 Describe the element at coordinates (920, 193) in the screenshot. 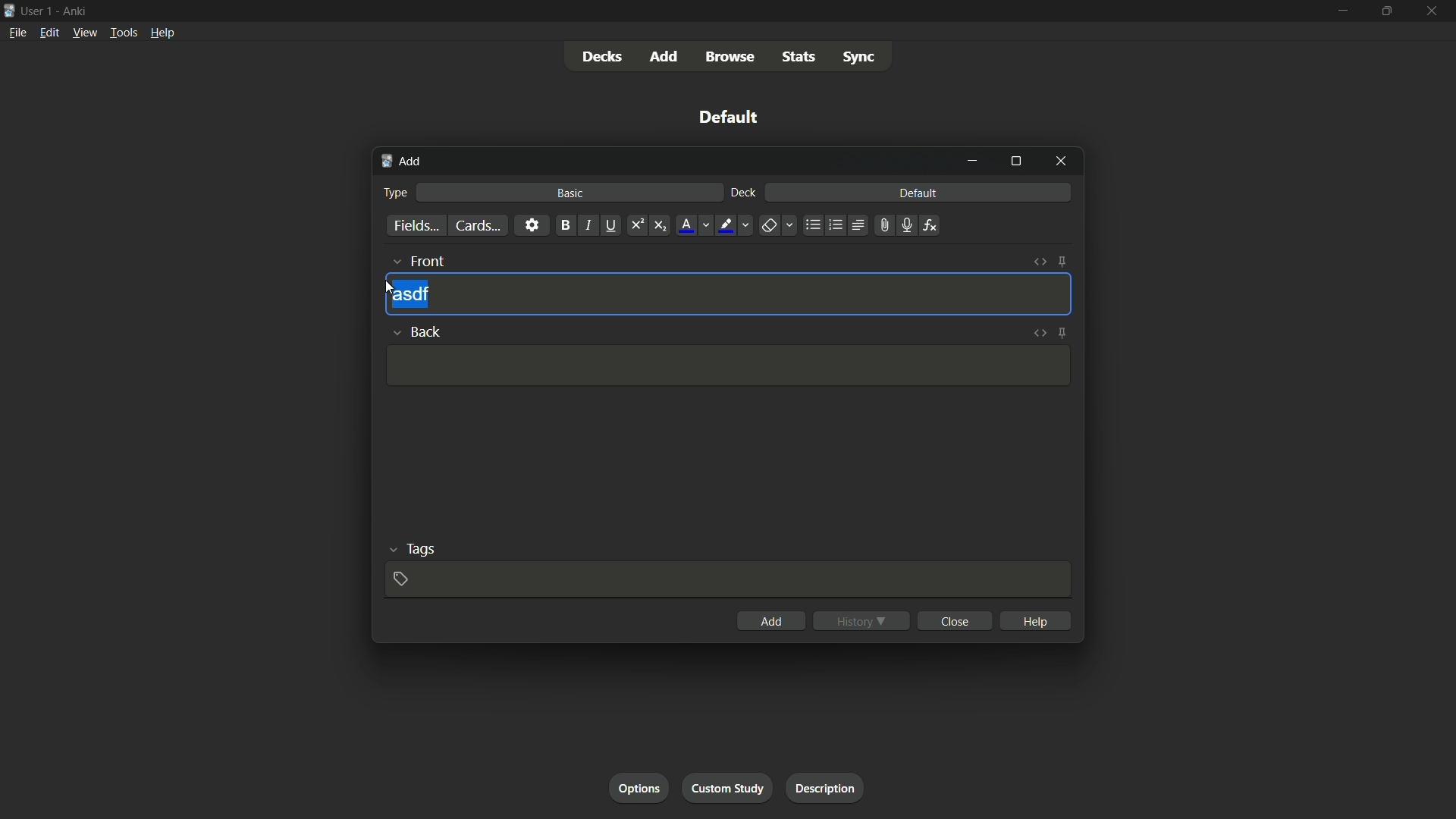

I see `default` at that location.